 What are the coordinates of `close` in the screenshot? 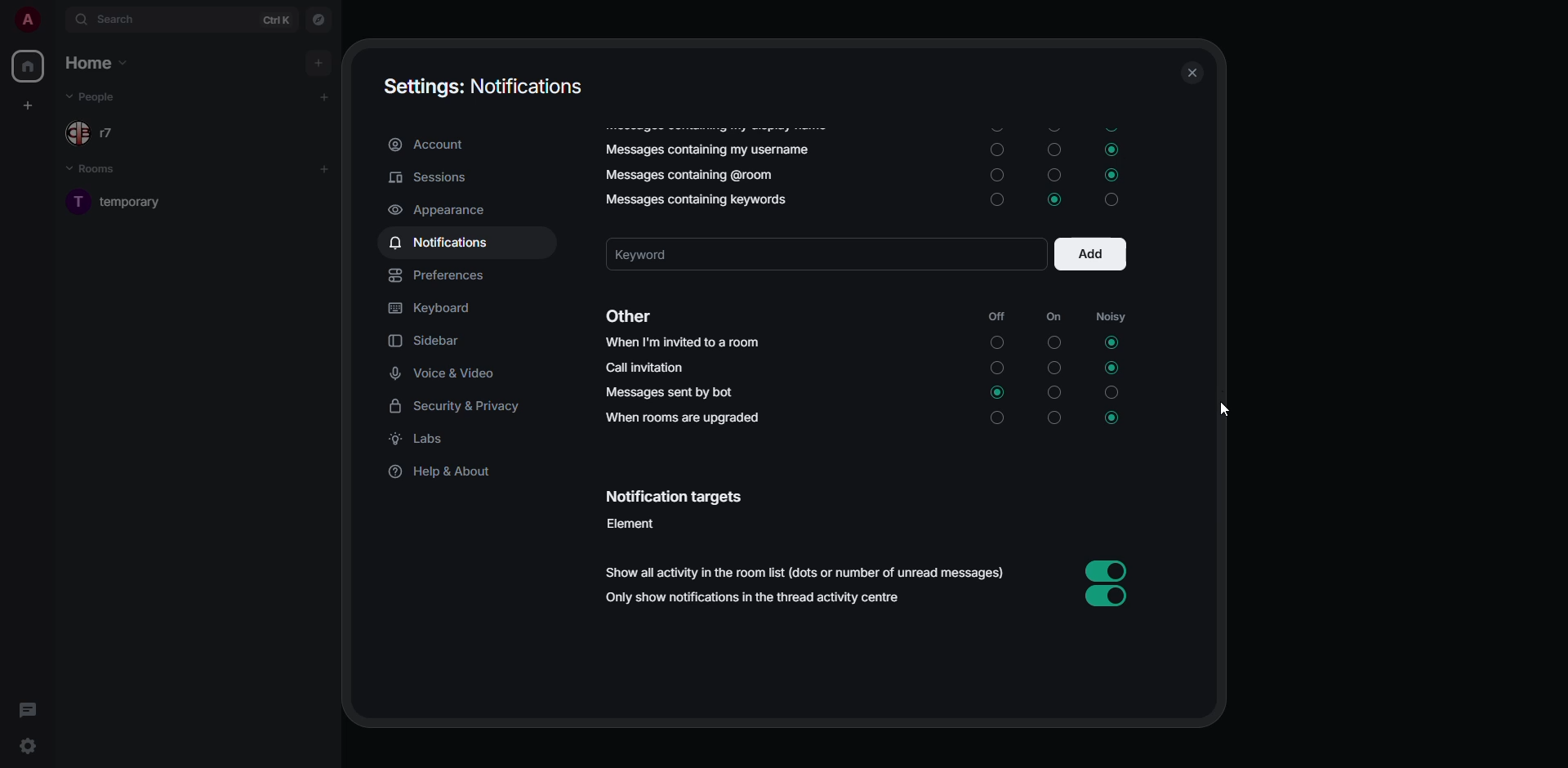 It's located at (1191, 73).